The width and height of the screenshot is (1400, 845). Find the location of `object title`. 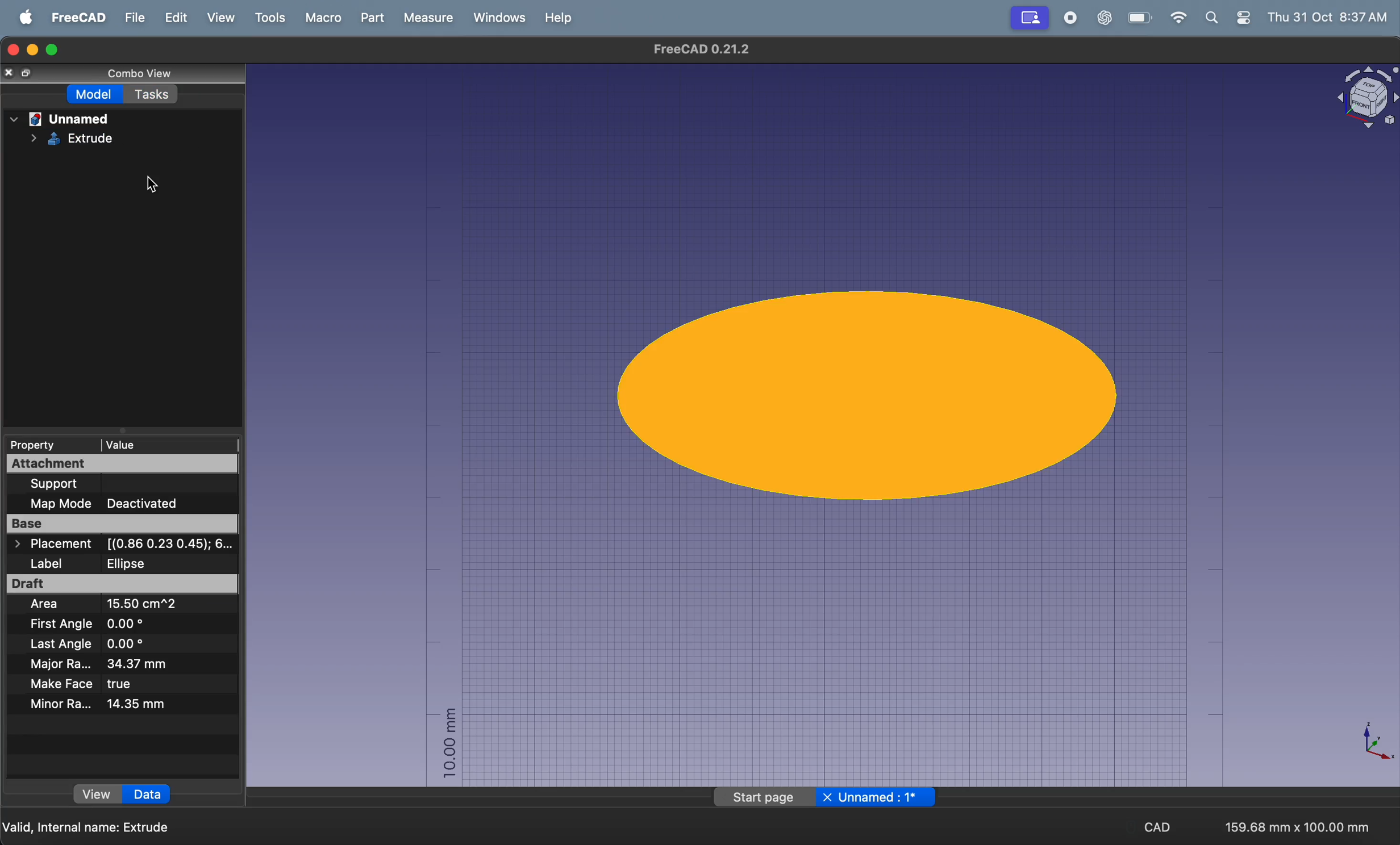

object title is located at coordinates (1352, 99).